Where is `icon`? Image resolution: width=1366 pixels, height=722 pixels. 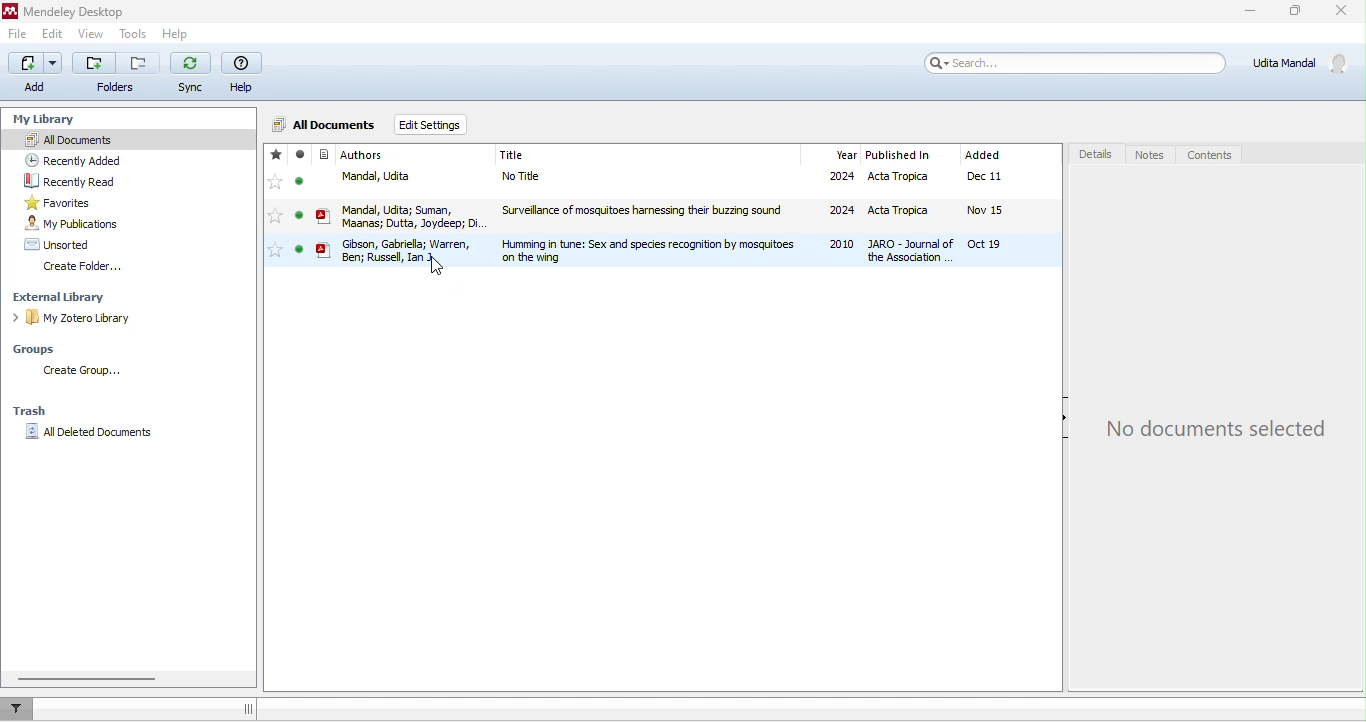
icon is located at coordinates (323, 206).